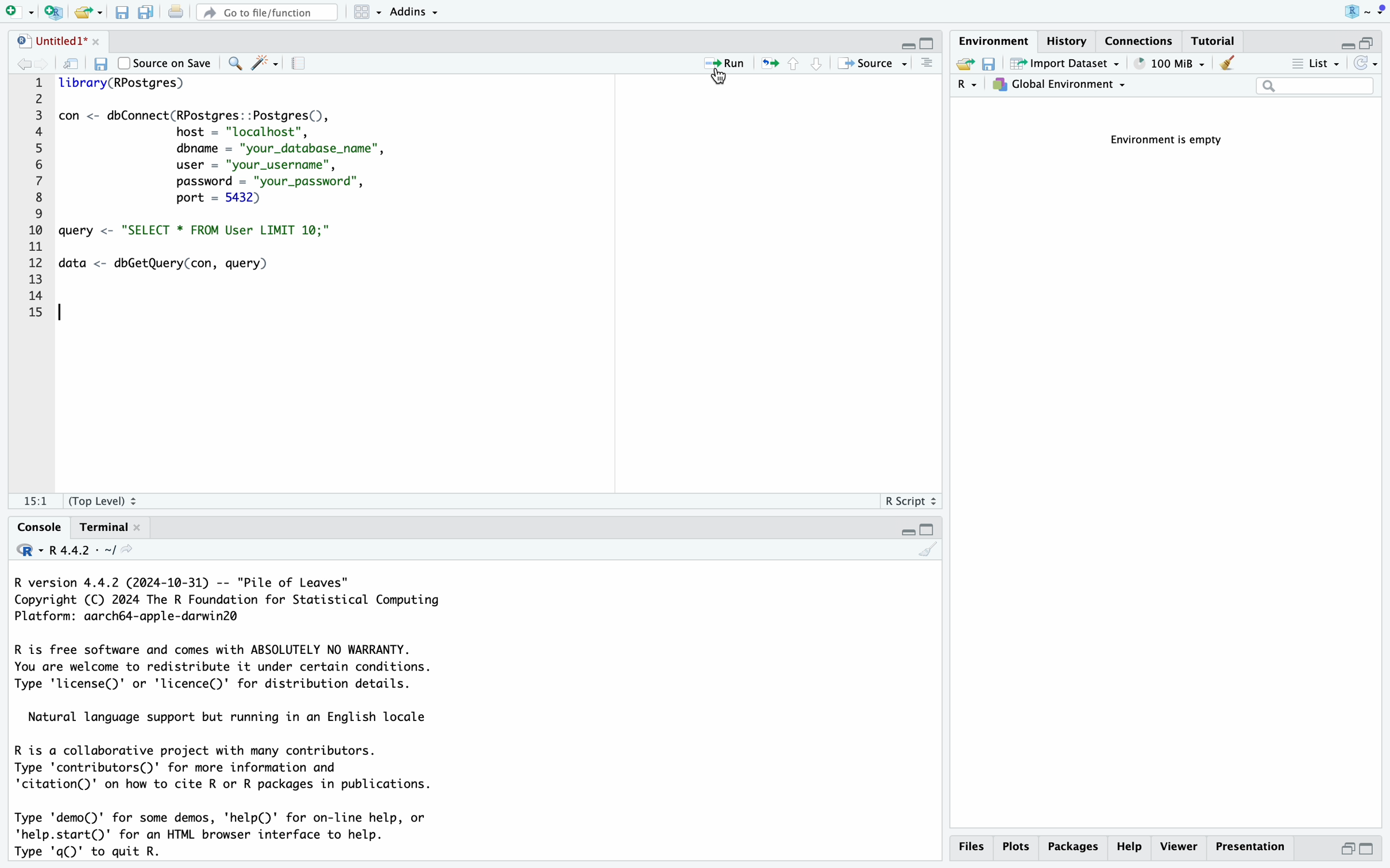 Image resolution: width=1390 pixels, height=868 pixels. What do you see at coordinates (86, 551) in the screenshot?
I see `R 4.4.2 . ~/` at bounding box center [86, 551].